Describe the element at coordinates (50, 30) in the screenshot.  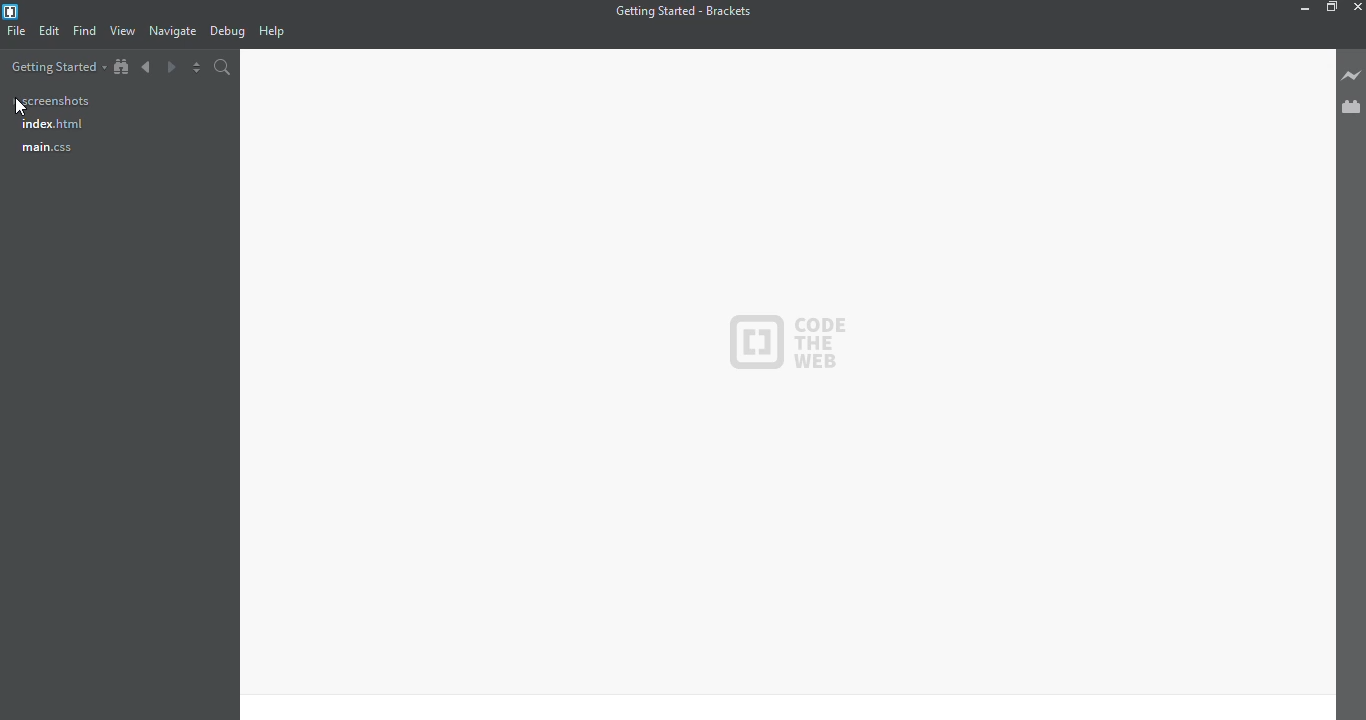
I see `edit` at that location.